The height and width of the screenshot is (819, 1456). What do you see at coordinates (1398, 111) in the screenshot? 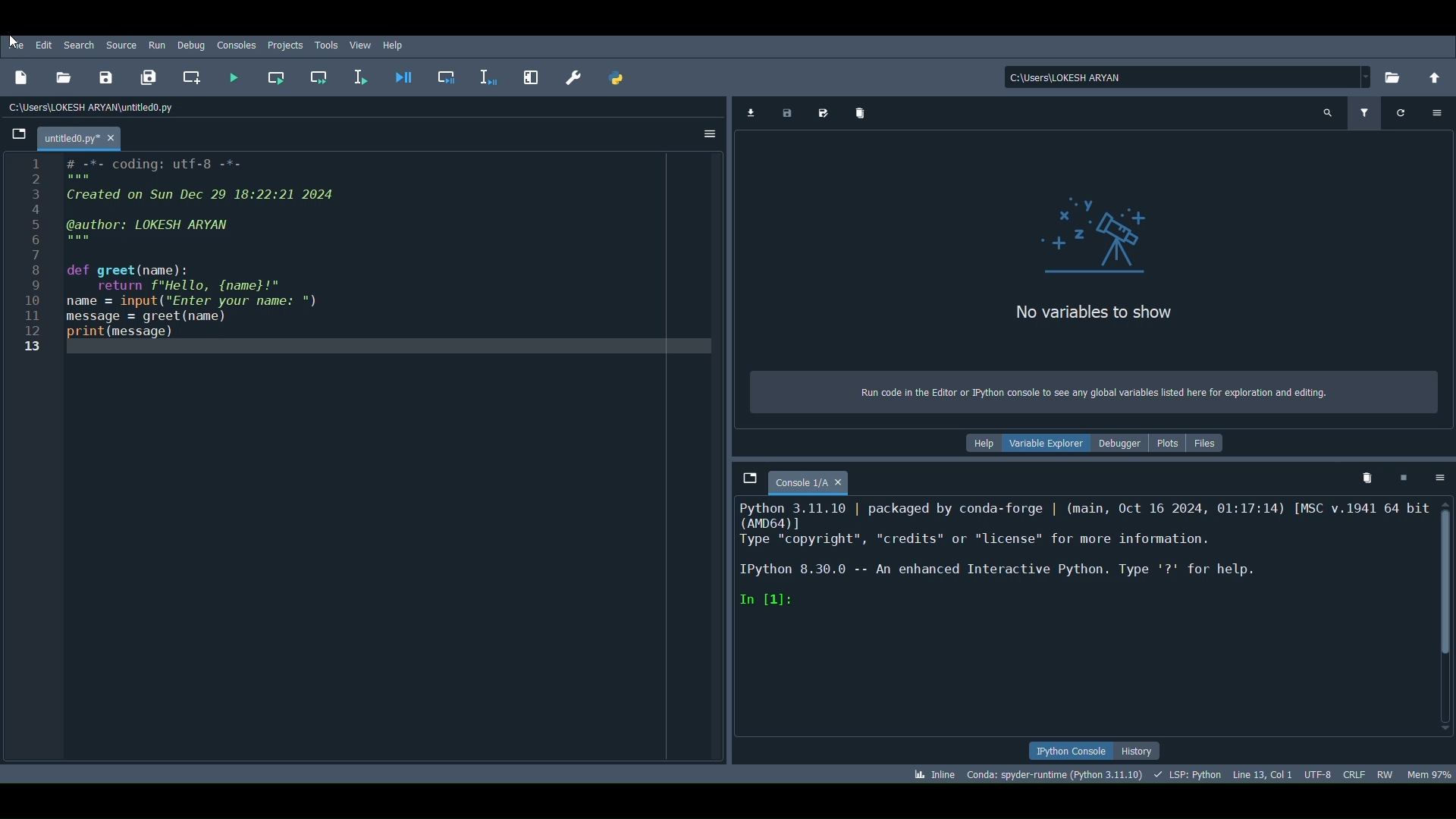
I see `Refresh variables (Ctrl + F)` at bounding box center [1398, 111].